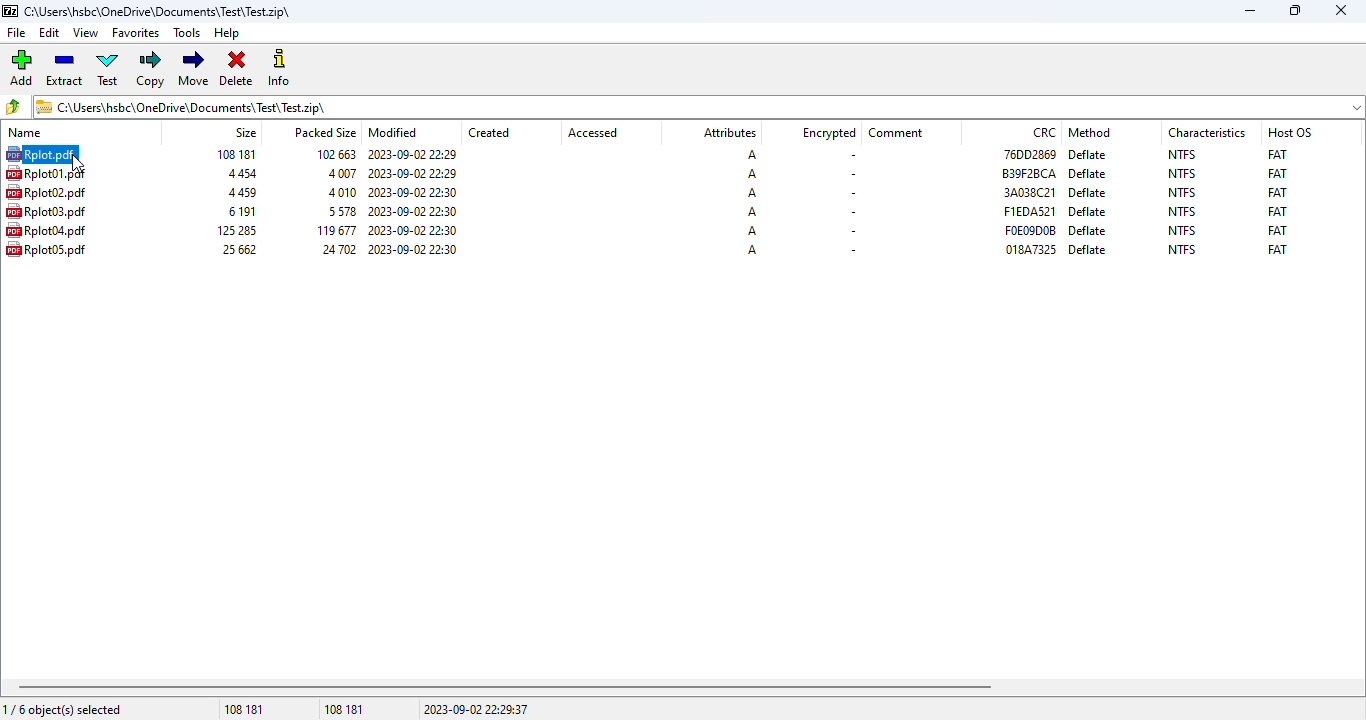  What do you see at coordinates (413, 248) in the screenshot?
I see `modified date & time` at bounding box center [413, 248].